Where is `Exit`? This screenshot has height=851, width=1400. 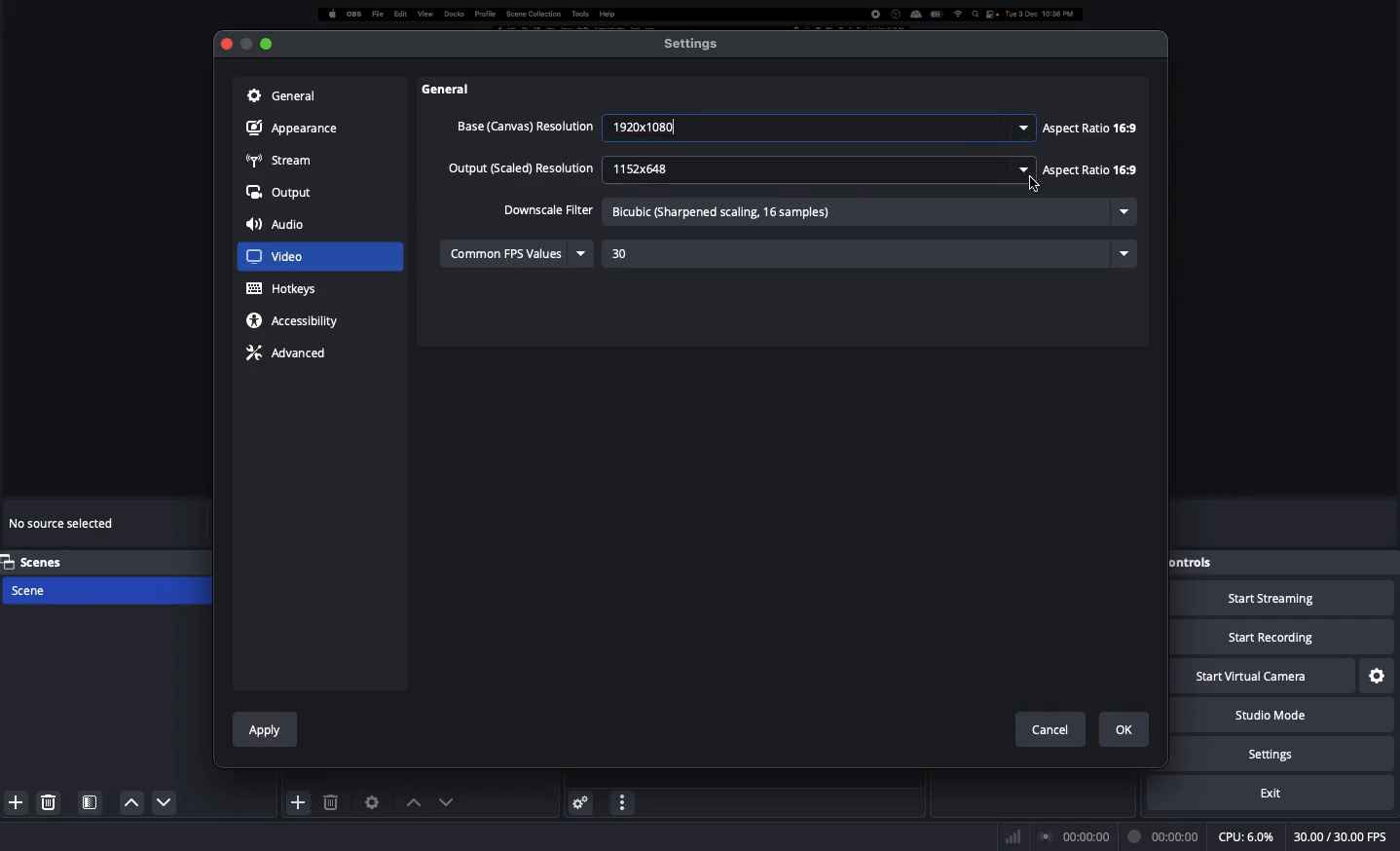 Exit is located at coordinates (1283, 793).